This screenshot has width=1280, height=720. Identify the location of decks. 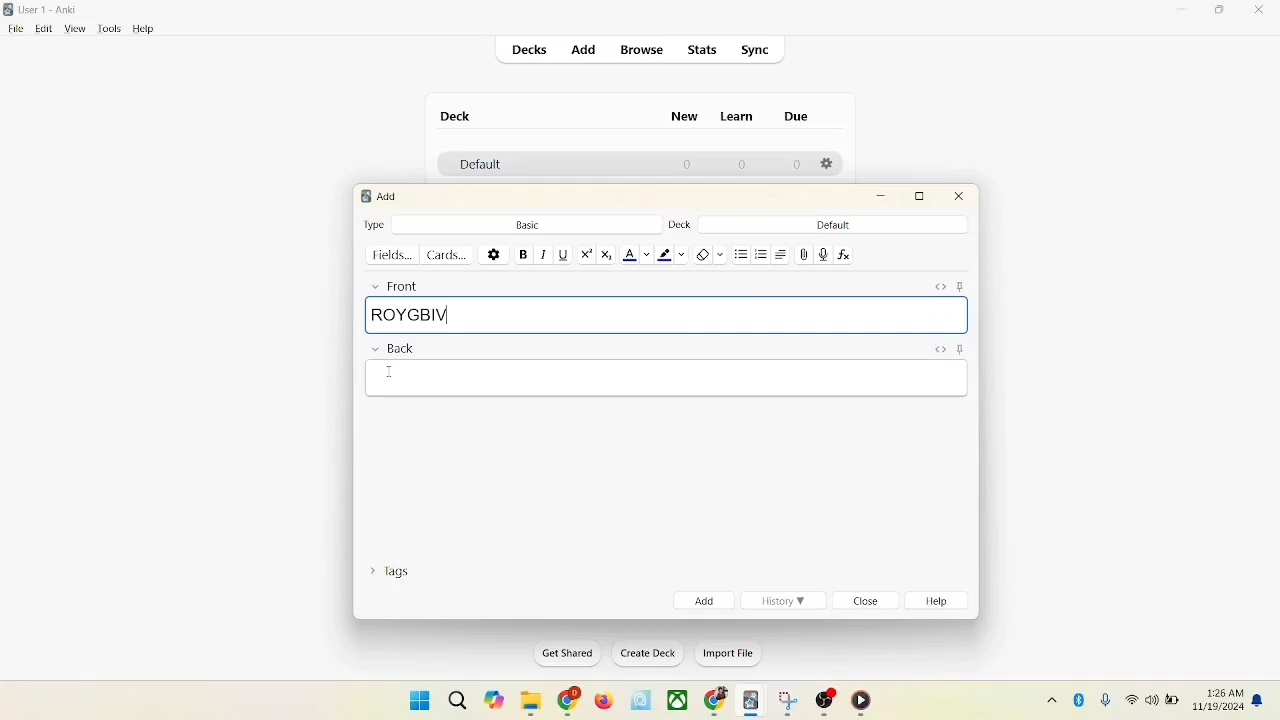
(531, 50).